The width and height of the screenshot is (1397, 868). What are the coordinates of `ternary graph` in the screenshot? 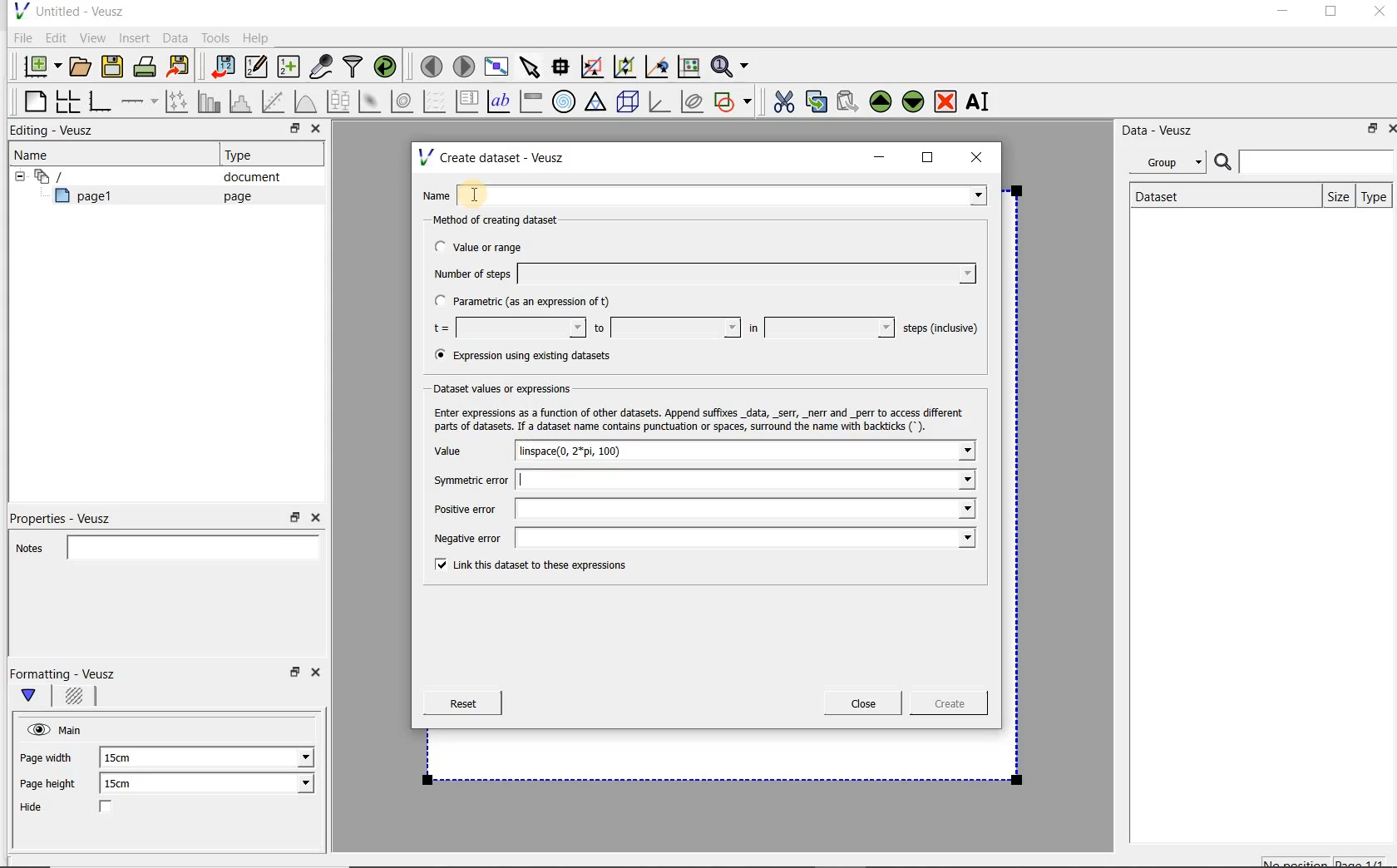 It's located at (597, 102).